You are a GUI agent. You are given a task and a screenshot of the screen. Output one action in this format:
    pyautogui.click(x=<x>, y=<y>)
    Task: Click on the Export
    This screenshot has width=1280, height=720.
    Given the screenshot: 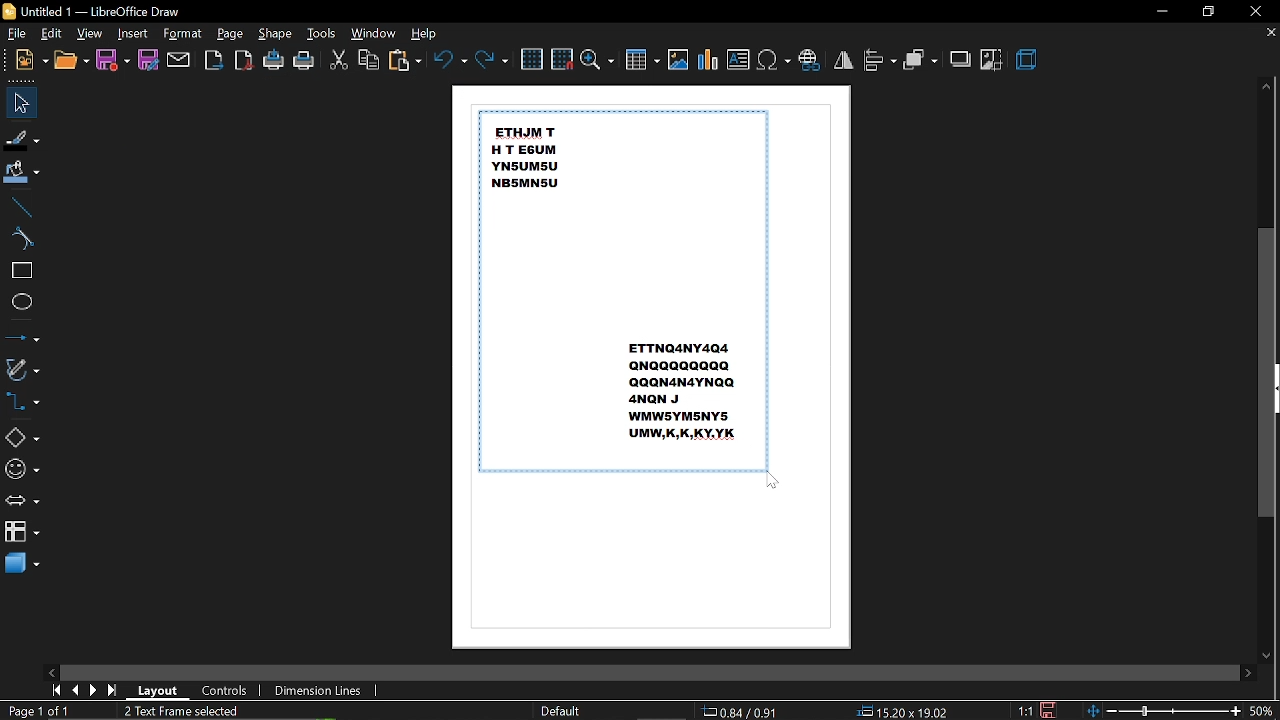 What is the action you would take?
    pyautogui.click(x=214, y=61)
    